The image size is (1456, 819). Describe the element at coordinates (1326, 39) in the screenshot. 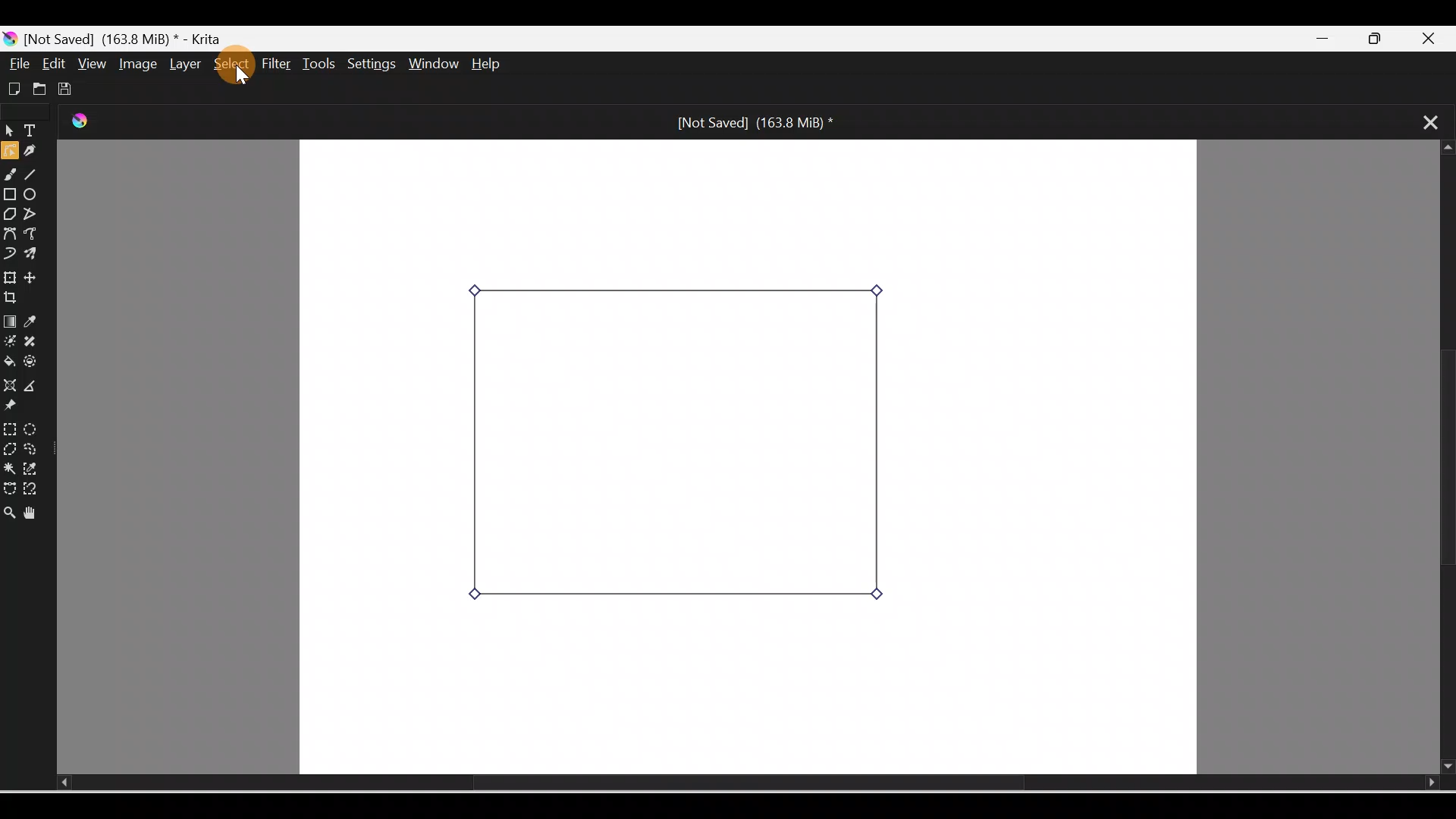

I see `Minimize` at that location.